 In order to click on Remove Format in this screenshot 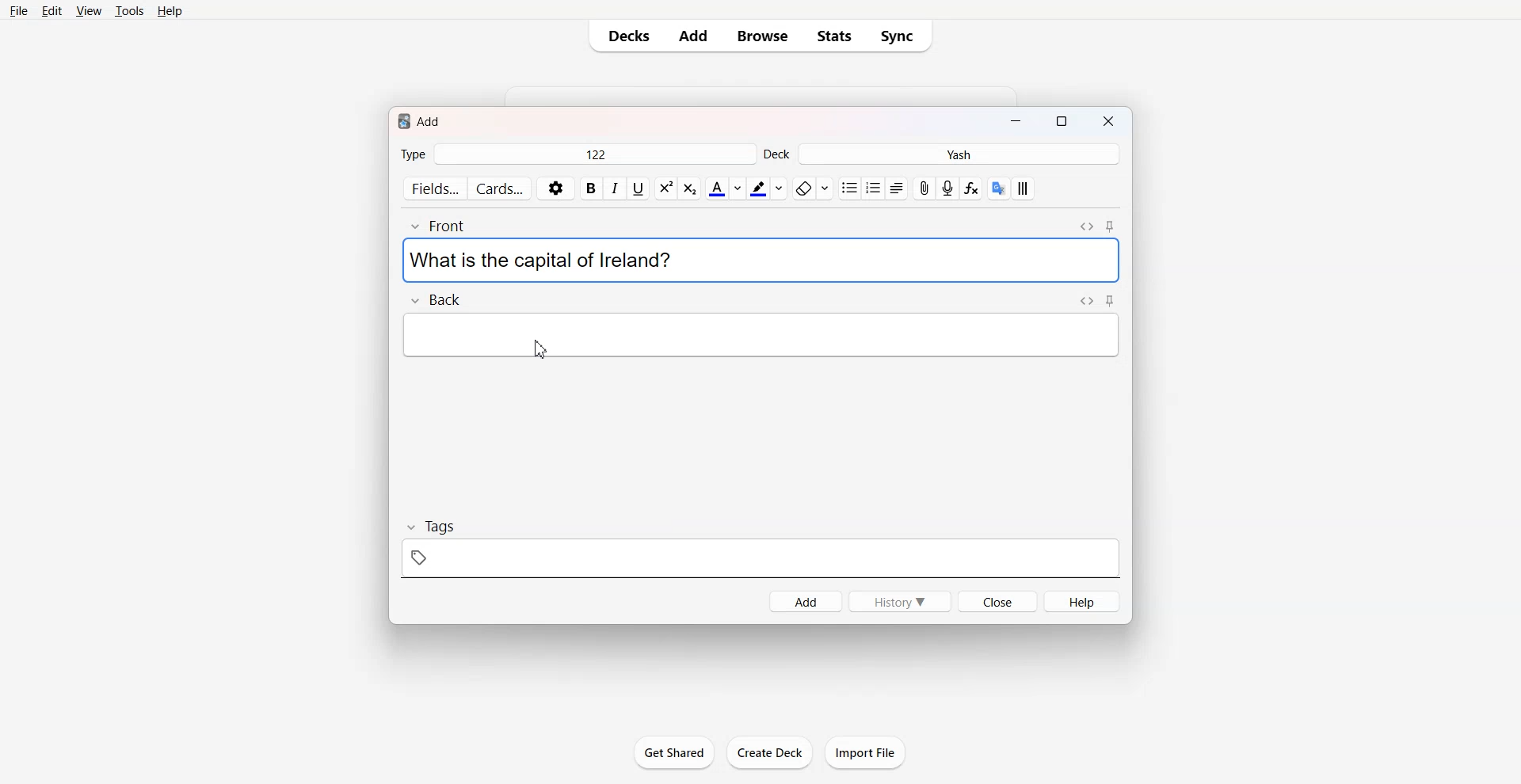, I will do `click(812, 188)`.